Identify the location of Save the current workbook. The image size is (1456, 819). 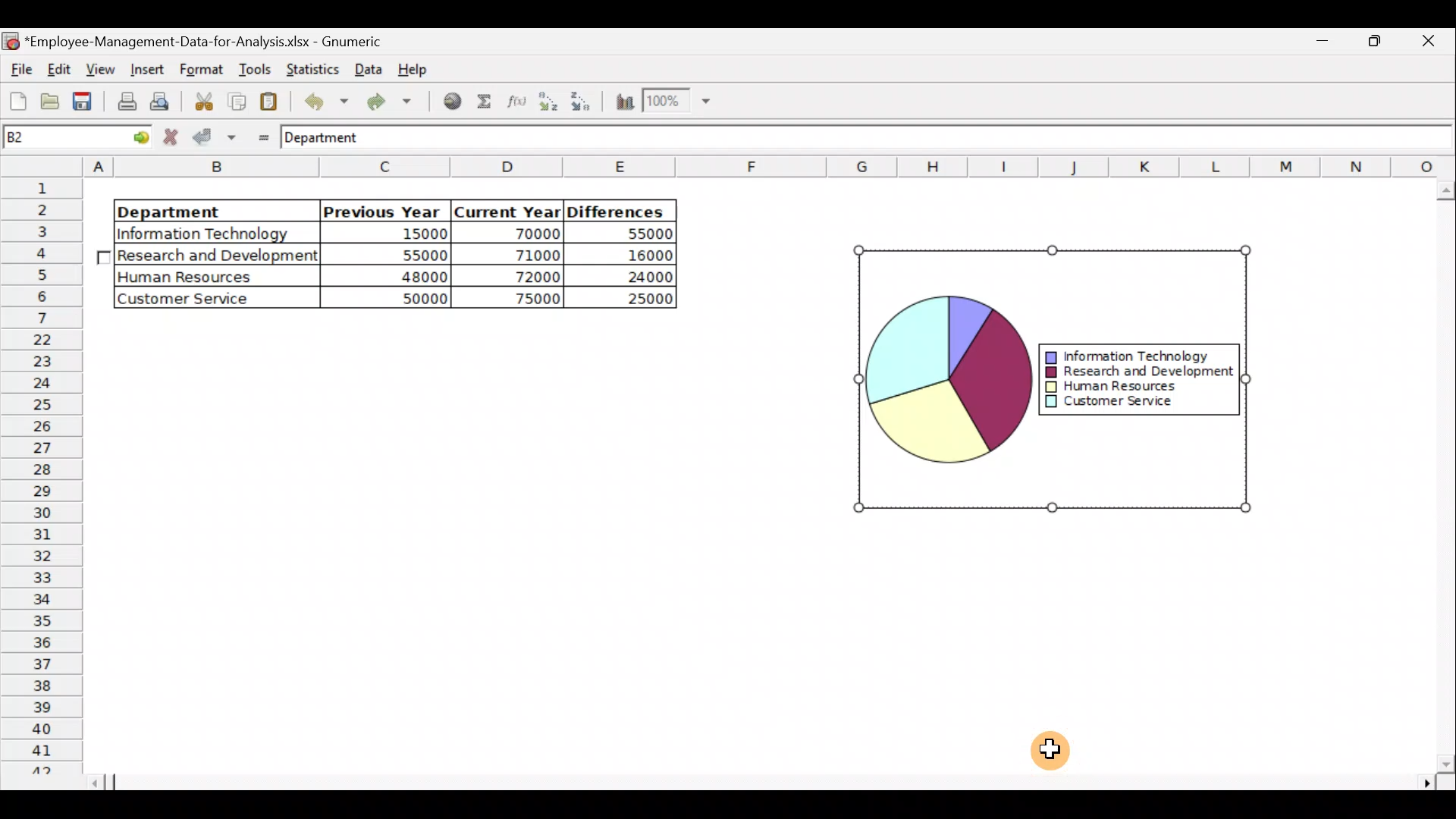
(83, 102).